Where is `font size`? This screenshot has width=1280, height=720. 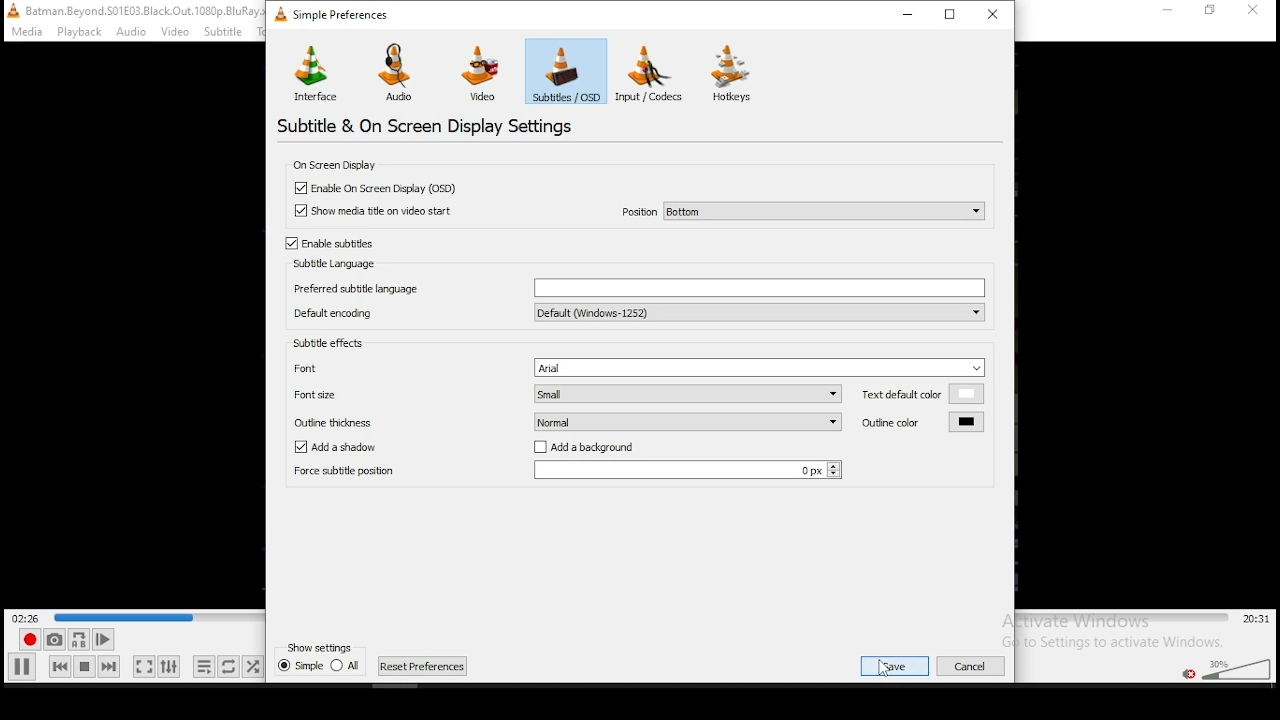
font size is located at coordinates (571, 392).